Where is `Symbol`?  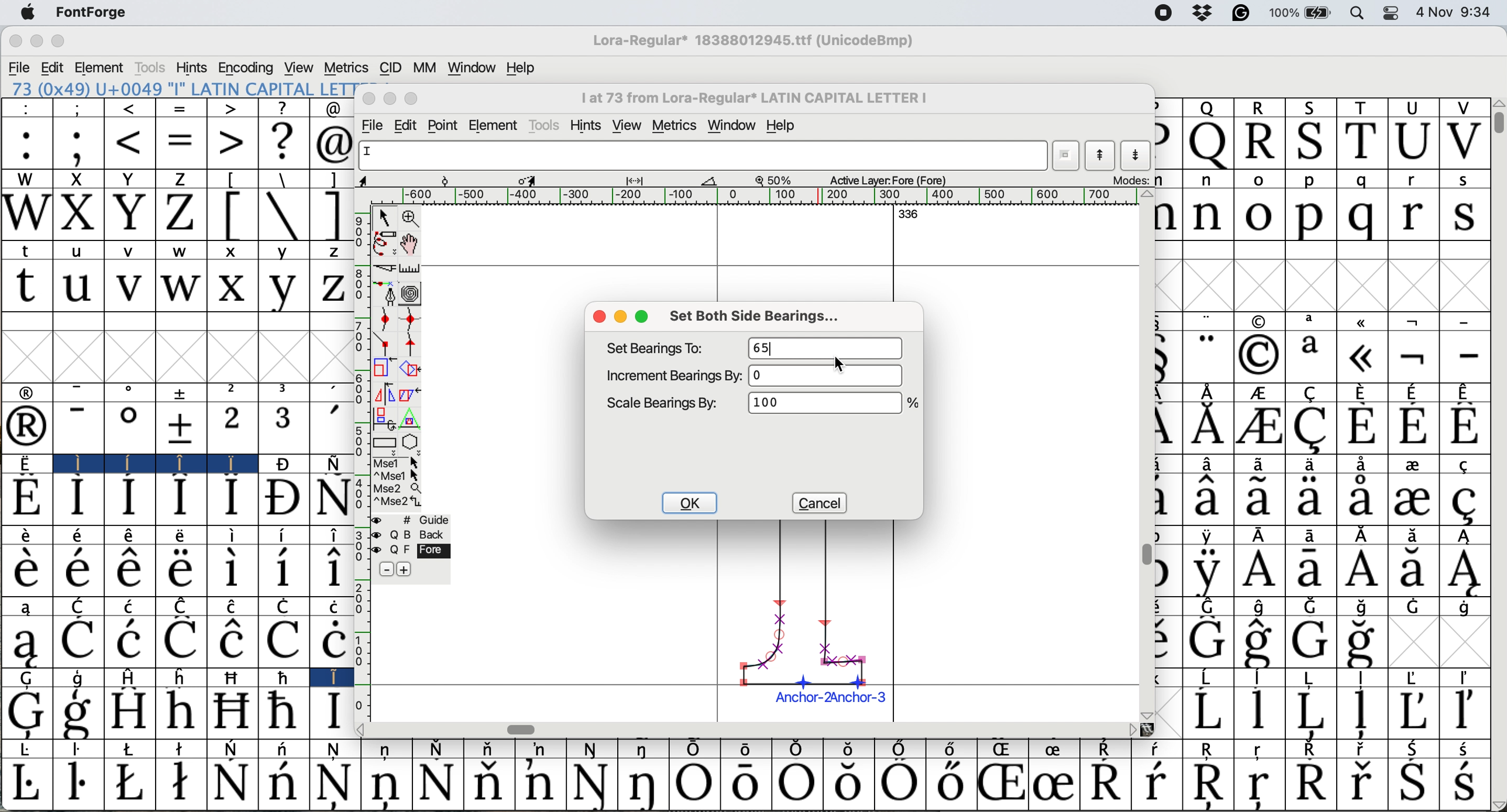 Symbol is located at coordinates (846, 749).